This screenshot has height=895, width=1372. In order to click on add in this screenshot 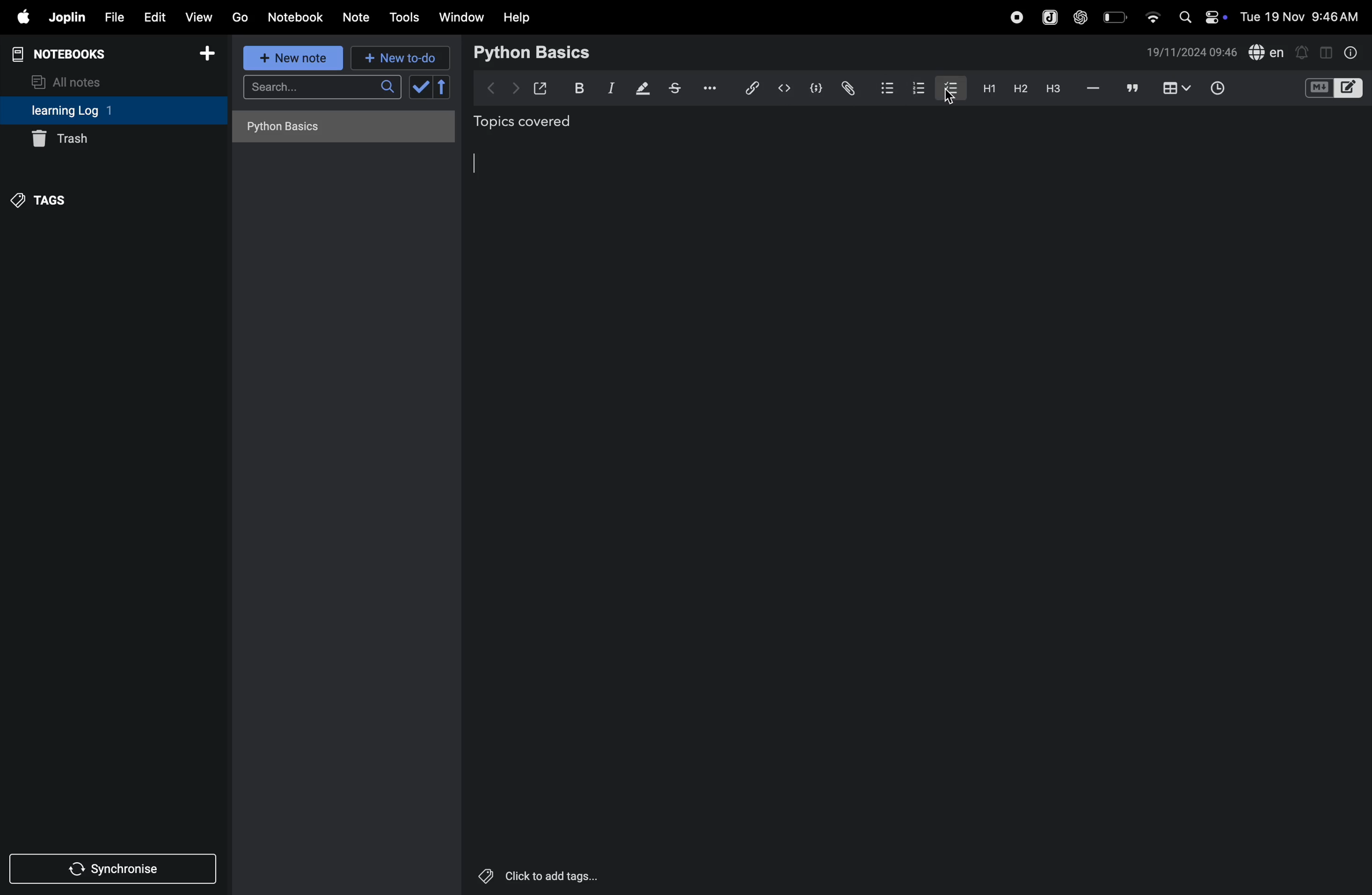, I will do `click(208, 57)`.